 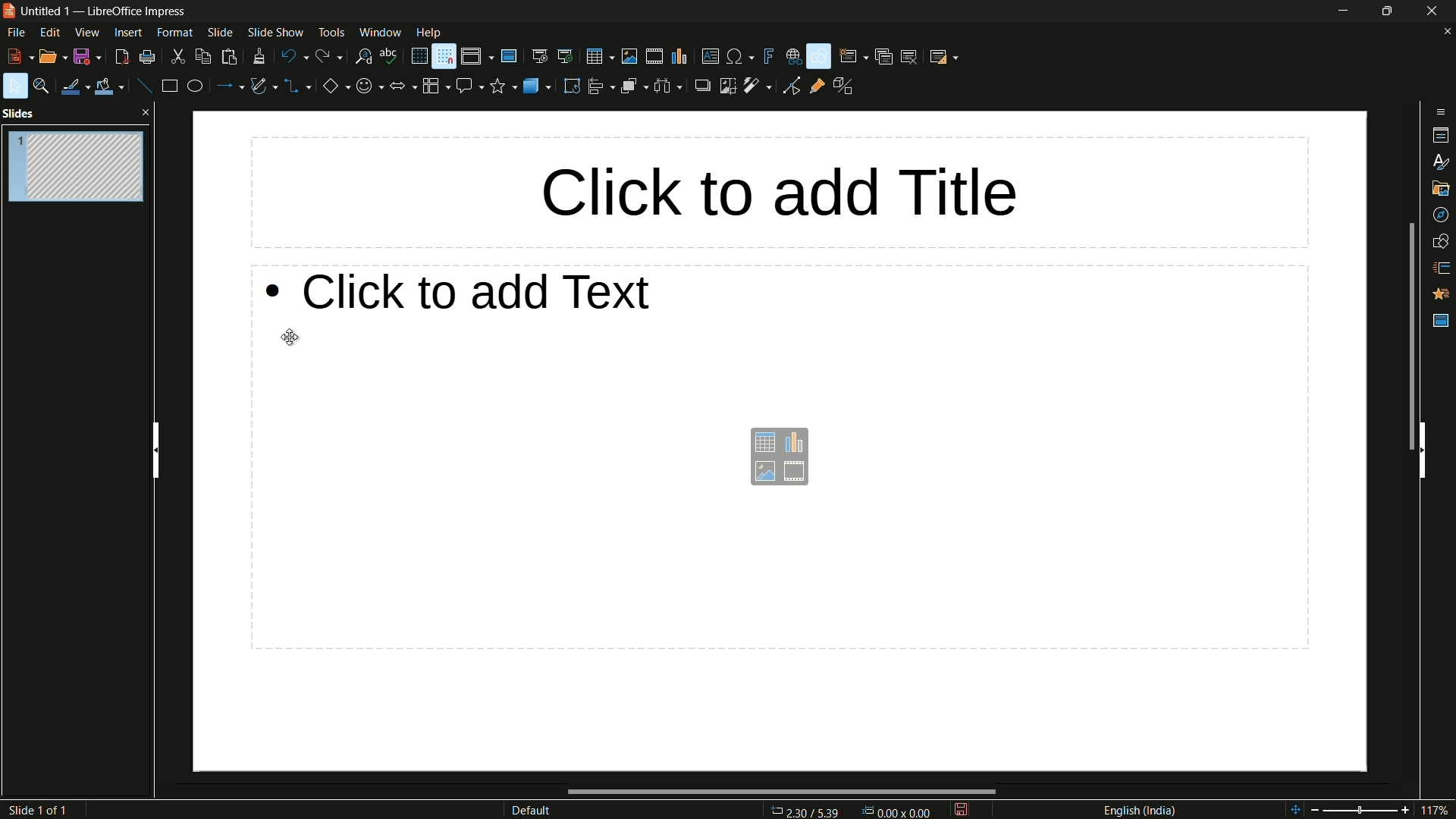 What do you see at coordinates (435, 86) in the screenshot?
I see `flowchart` at bounding box center [435, 86].